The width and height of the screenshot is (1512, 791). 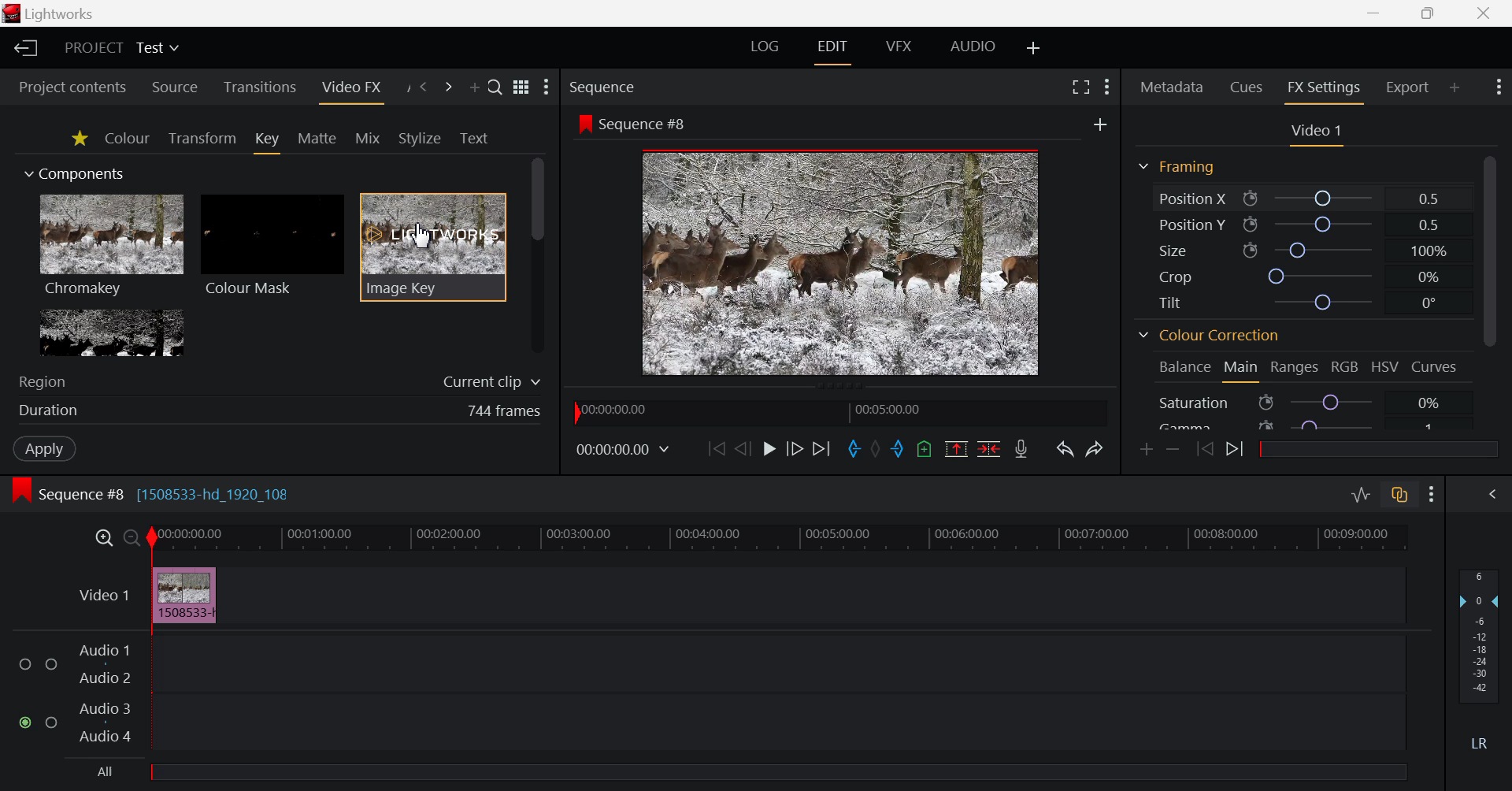 I want to click on Lumakey, so click(x=110, y=332).